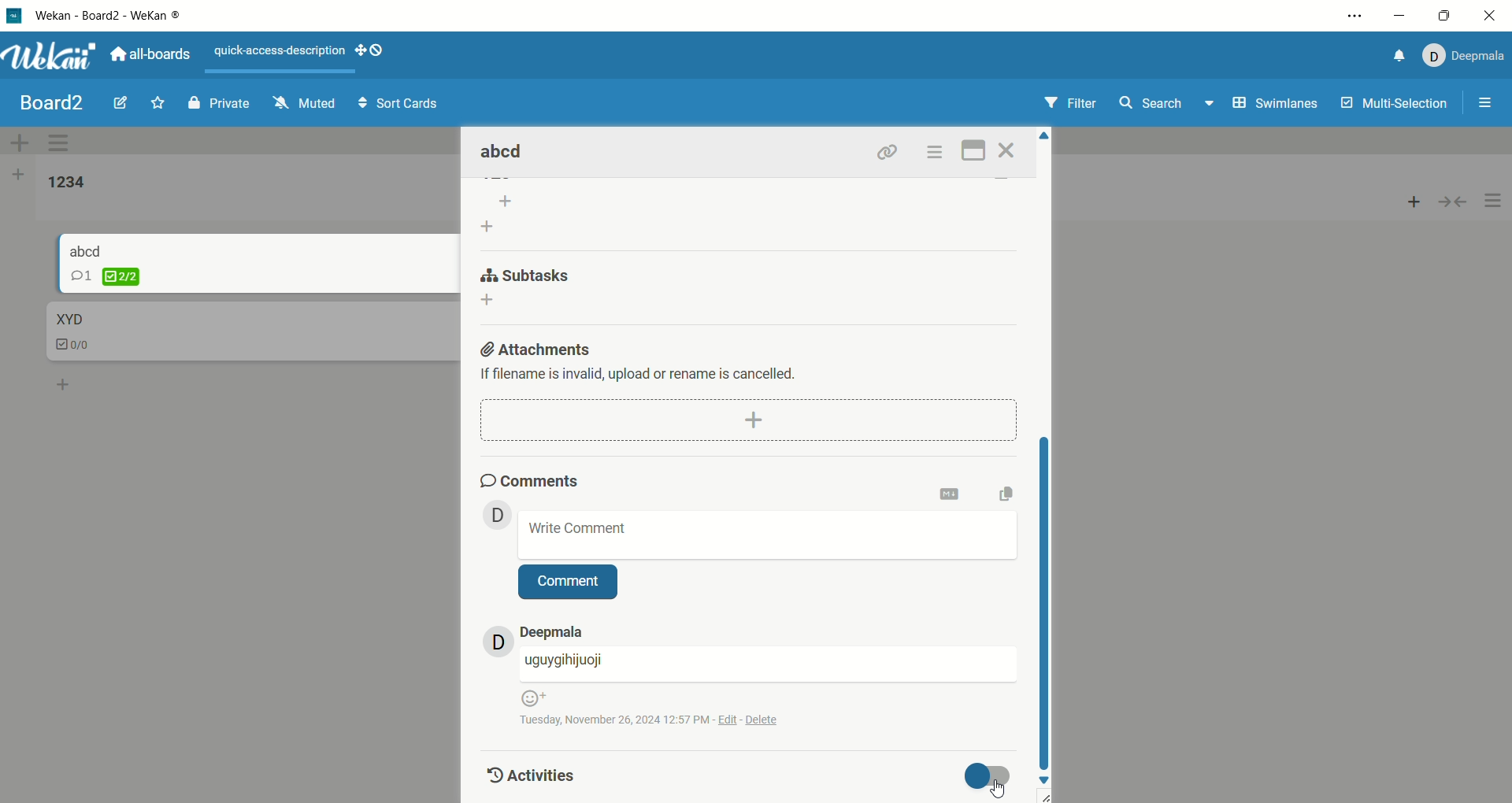 This screenshot has width=1512, height=803. Describe the element at coordinates (1045, 139) in the screenshot. I see `Up` at that location.